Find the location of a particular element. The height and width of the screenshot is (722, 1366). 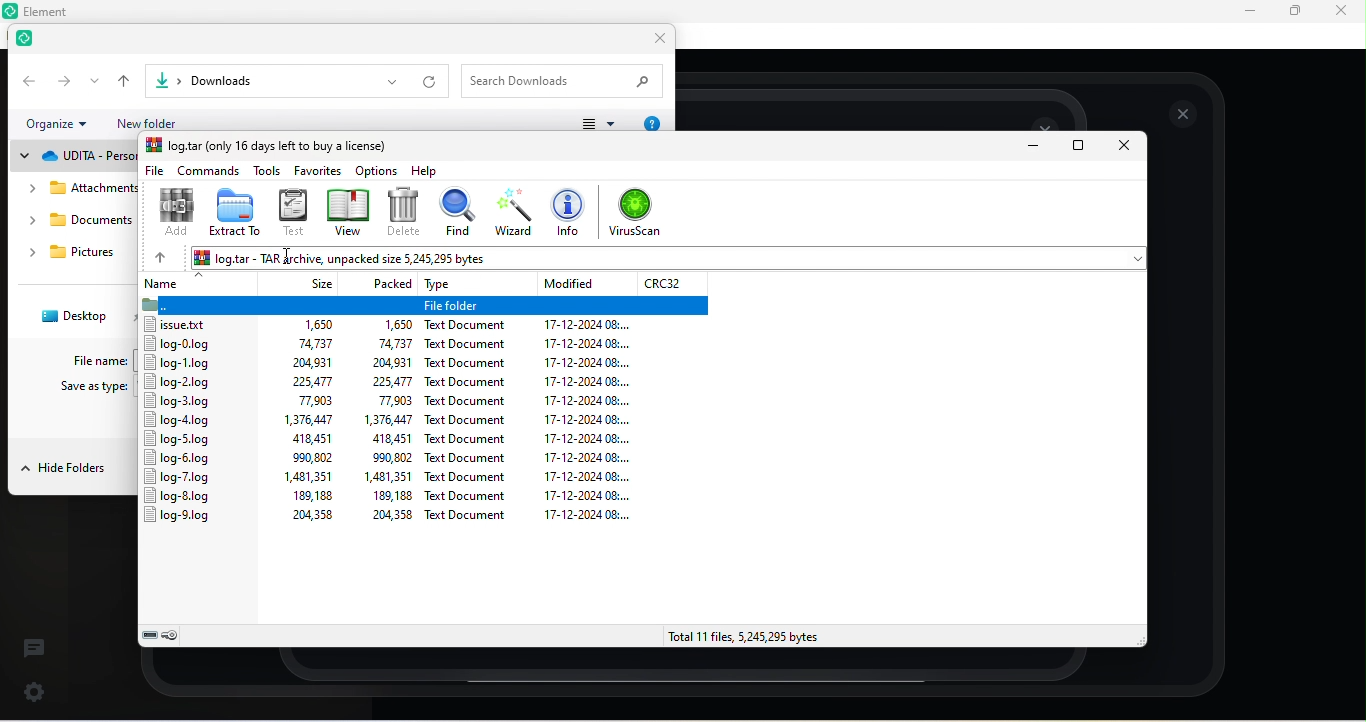

file is located at coordinates (158, 170).